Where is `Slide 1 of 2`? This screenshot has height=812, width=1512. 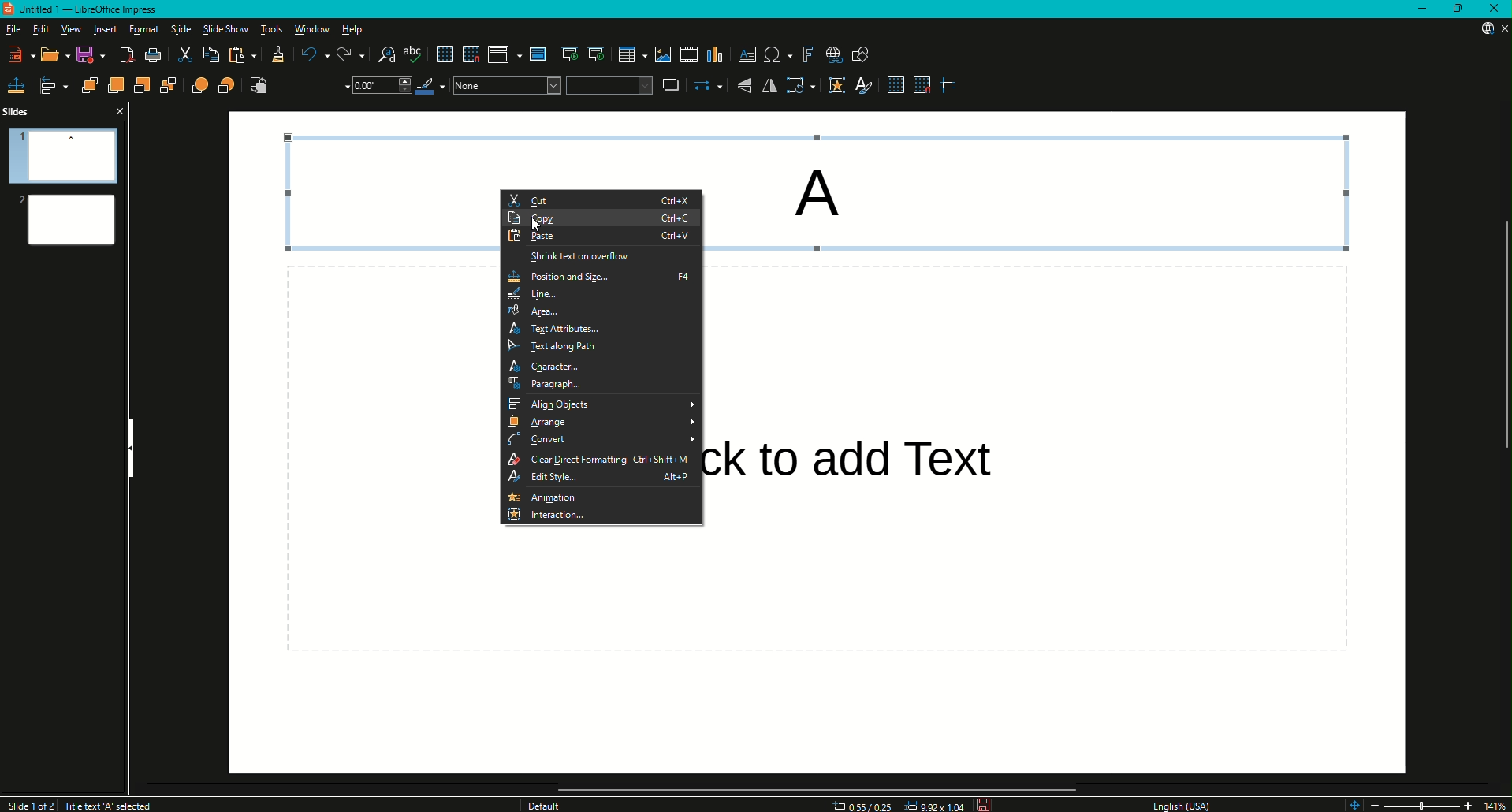 Slide 1 of 2 is located at coordinates (31, 805).